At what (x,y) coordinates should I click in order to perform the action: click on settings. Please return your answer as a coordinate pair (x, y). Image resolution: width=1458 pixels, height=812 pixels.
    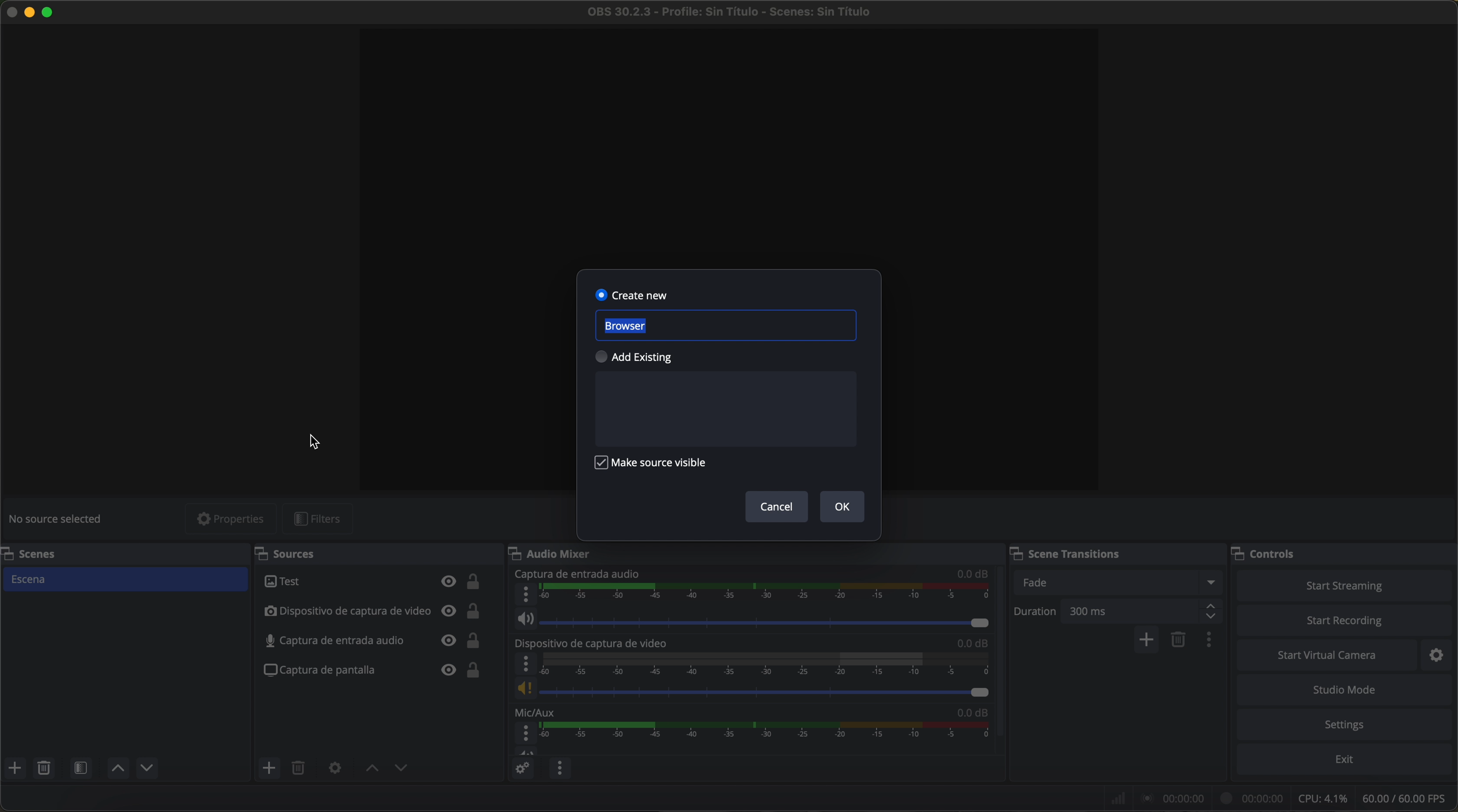
    Looking at the image, I should click on (1439, 656).